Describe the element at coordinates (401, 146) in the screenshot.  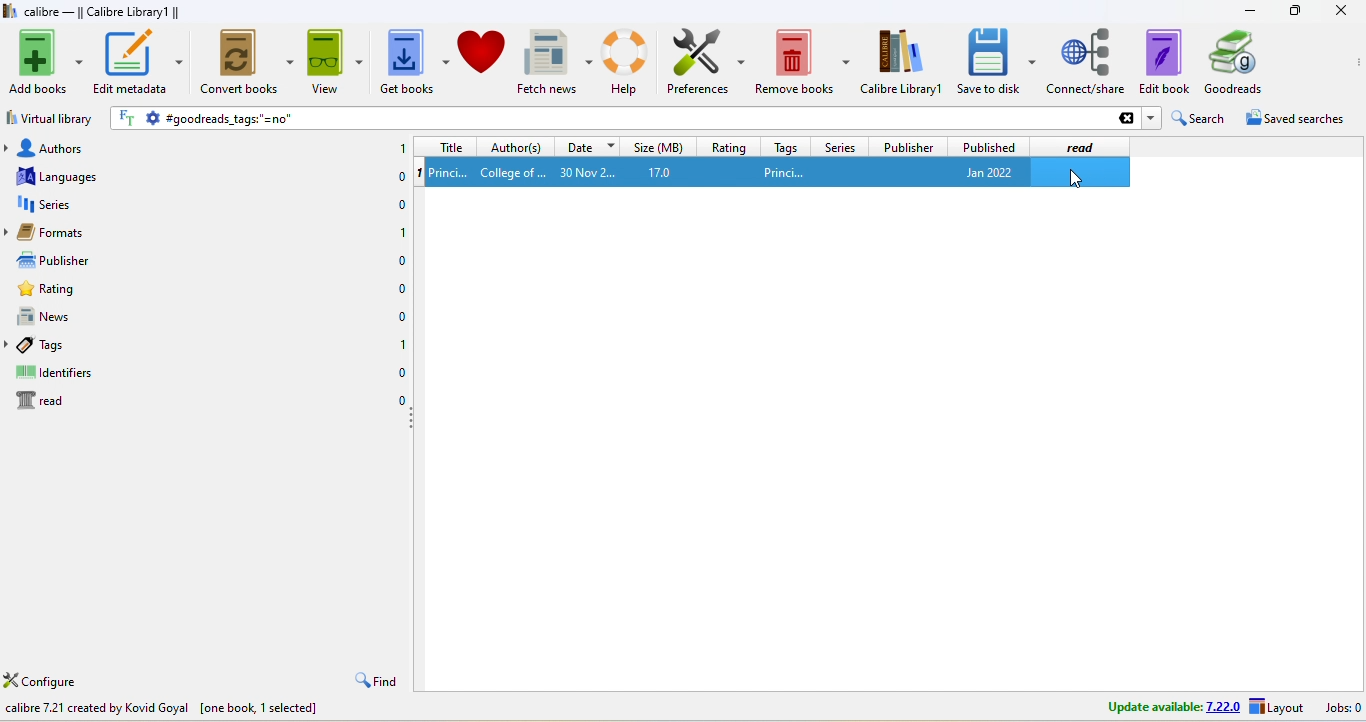
I see `1` at that location.